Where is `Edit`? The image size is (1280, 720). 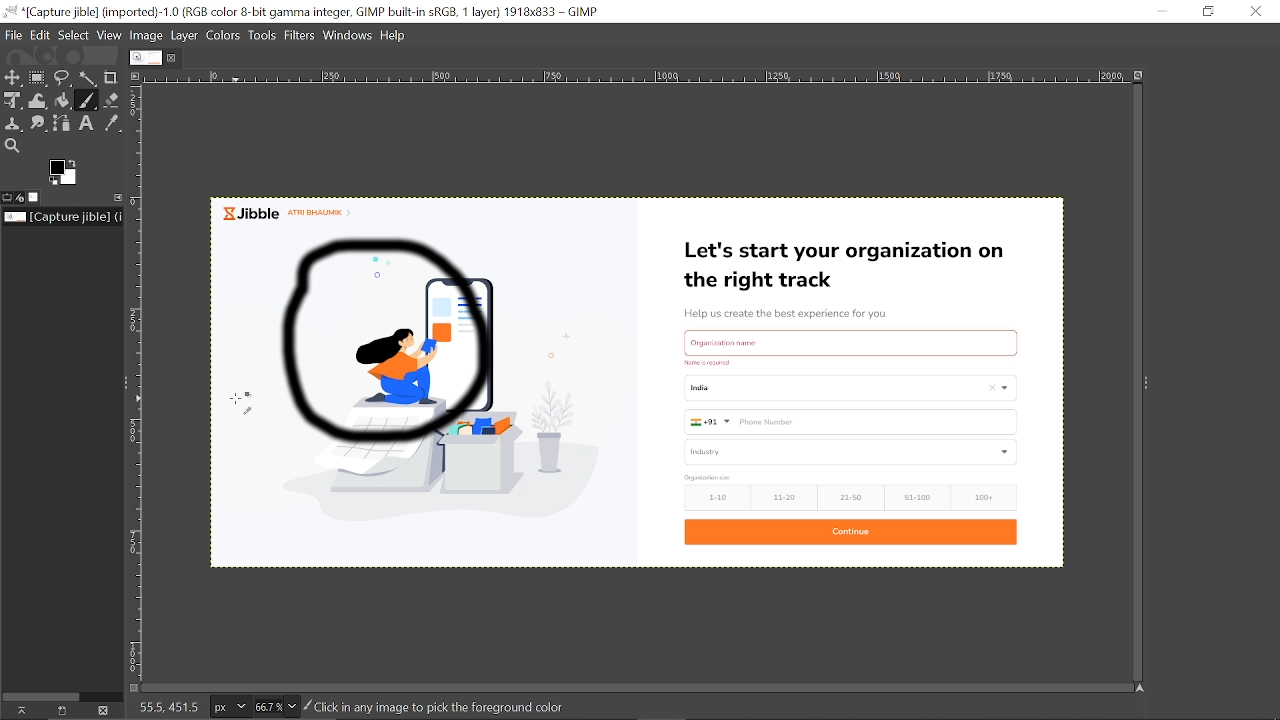
Edit is located at coordinates (42, 36).